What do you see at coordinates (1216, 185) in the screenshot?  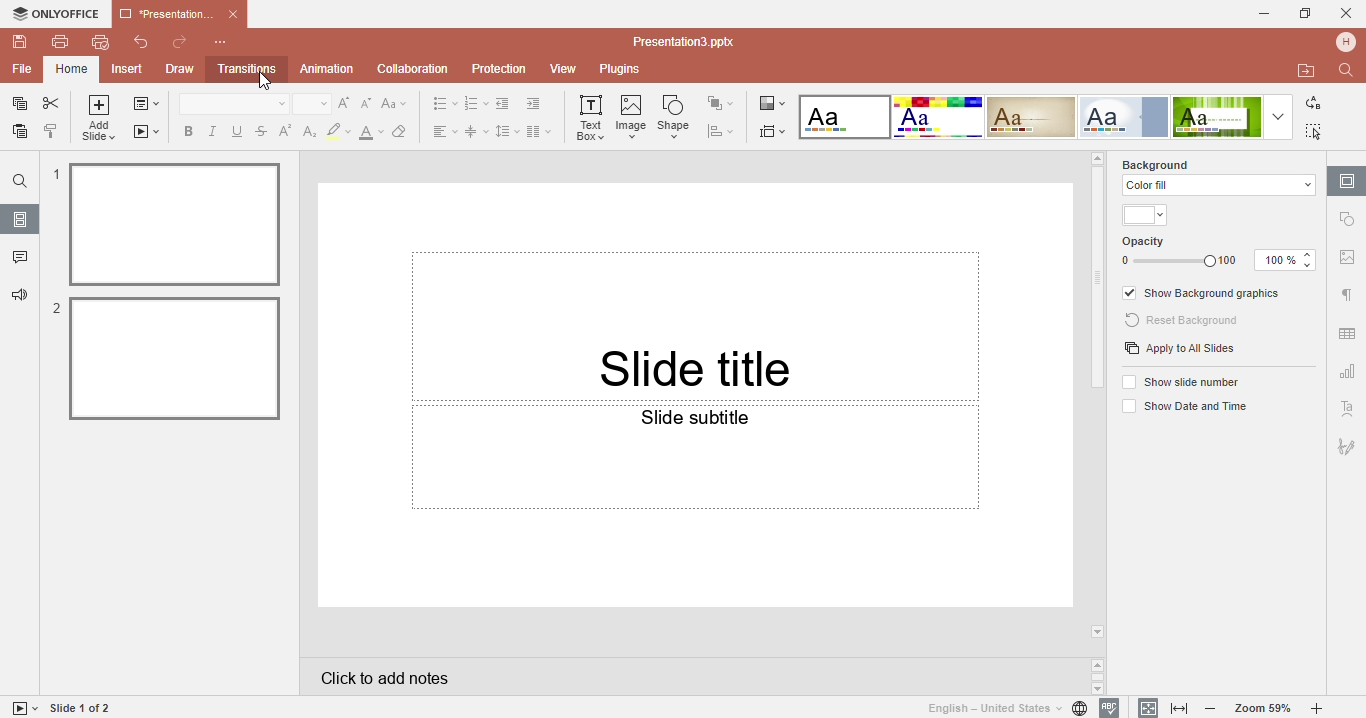 I see `color fill` at bounding box center [1216, 185].